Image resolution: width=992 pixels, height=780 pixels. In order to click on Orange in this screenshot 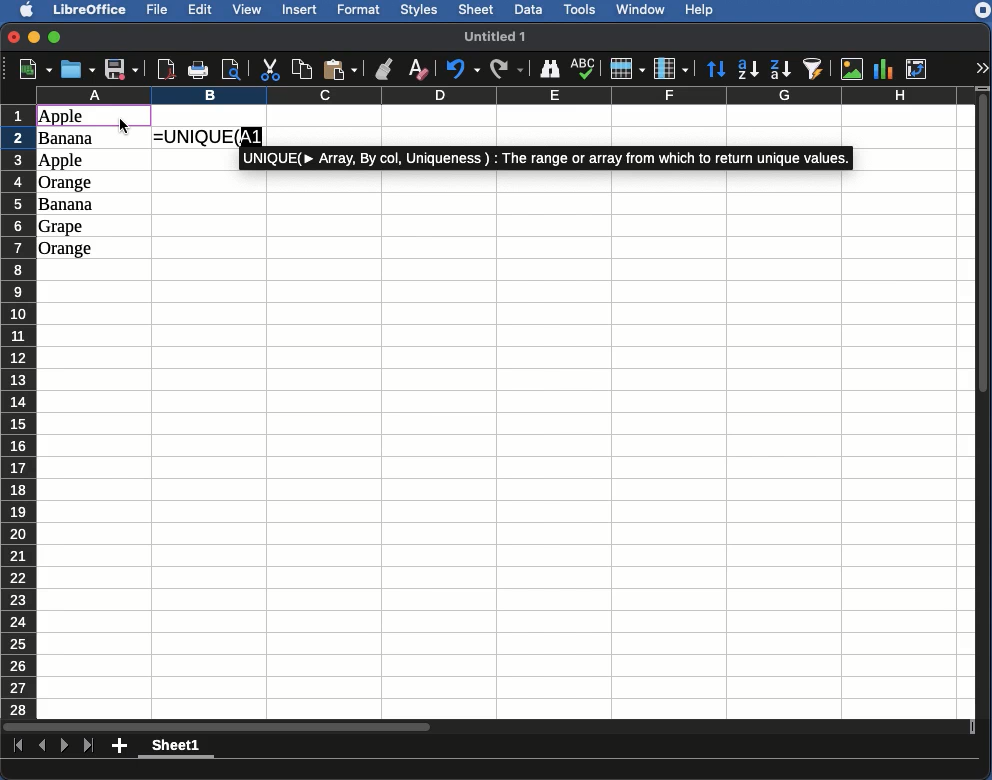, I will do `click(67, 183)`.